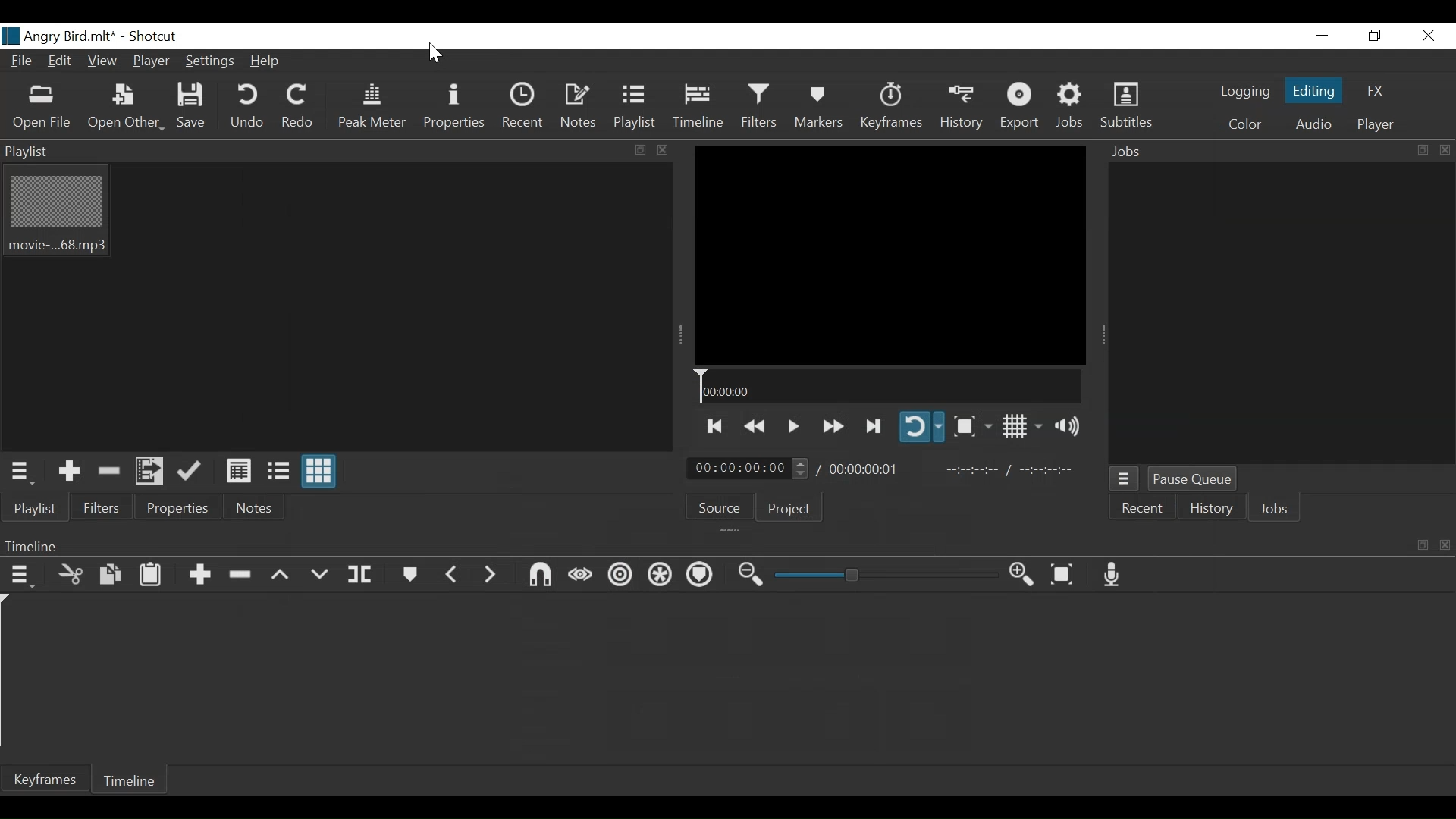 Image resolution: width=1456 pixels, height=819 pixels. What do you see at coordinates (634, 106) in the screenshot?
I see `Playlist` at bounding box center [634, 106].